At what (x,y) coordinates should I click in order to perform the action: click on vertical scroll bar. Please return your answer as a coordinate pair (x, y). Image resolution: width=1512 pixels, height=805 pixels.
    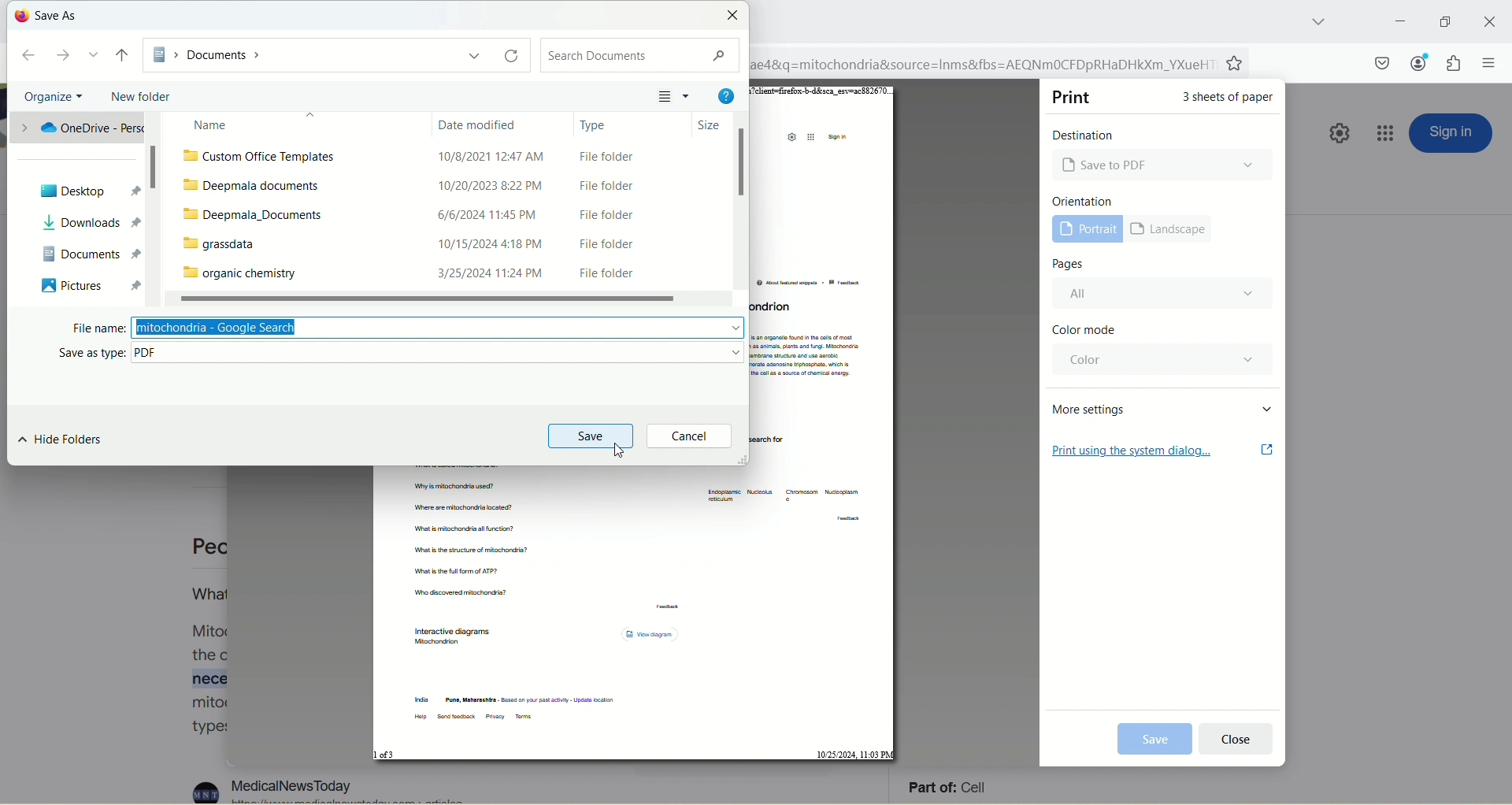
    Looking at the image, I should click on (155, 170).